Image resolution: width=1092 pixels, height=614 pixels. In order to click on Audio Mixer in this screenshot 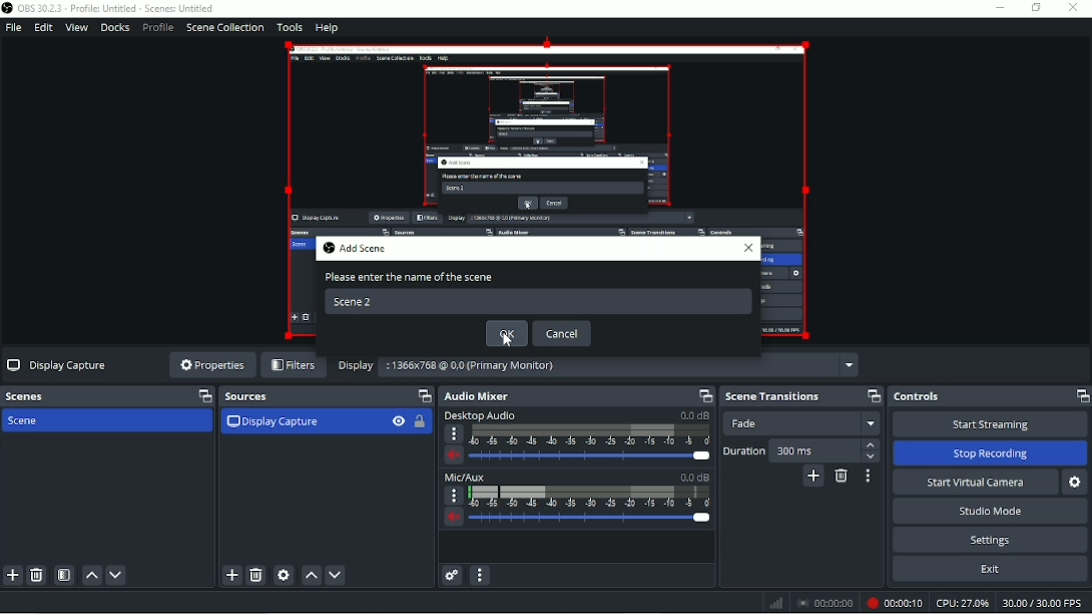, I will do `click(477, 397)`.